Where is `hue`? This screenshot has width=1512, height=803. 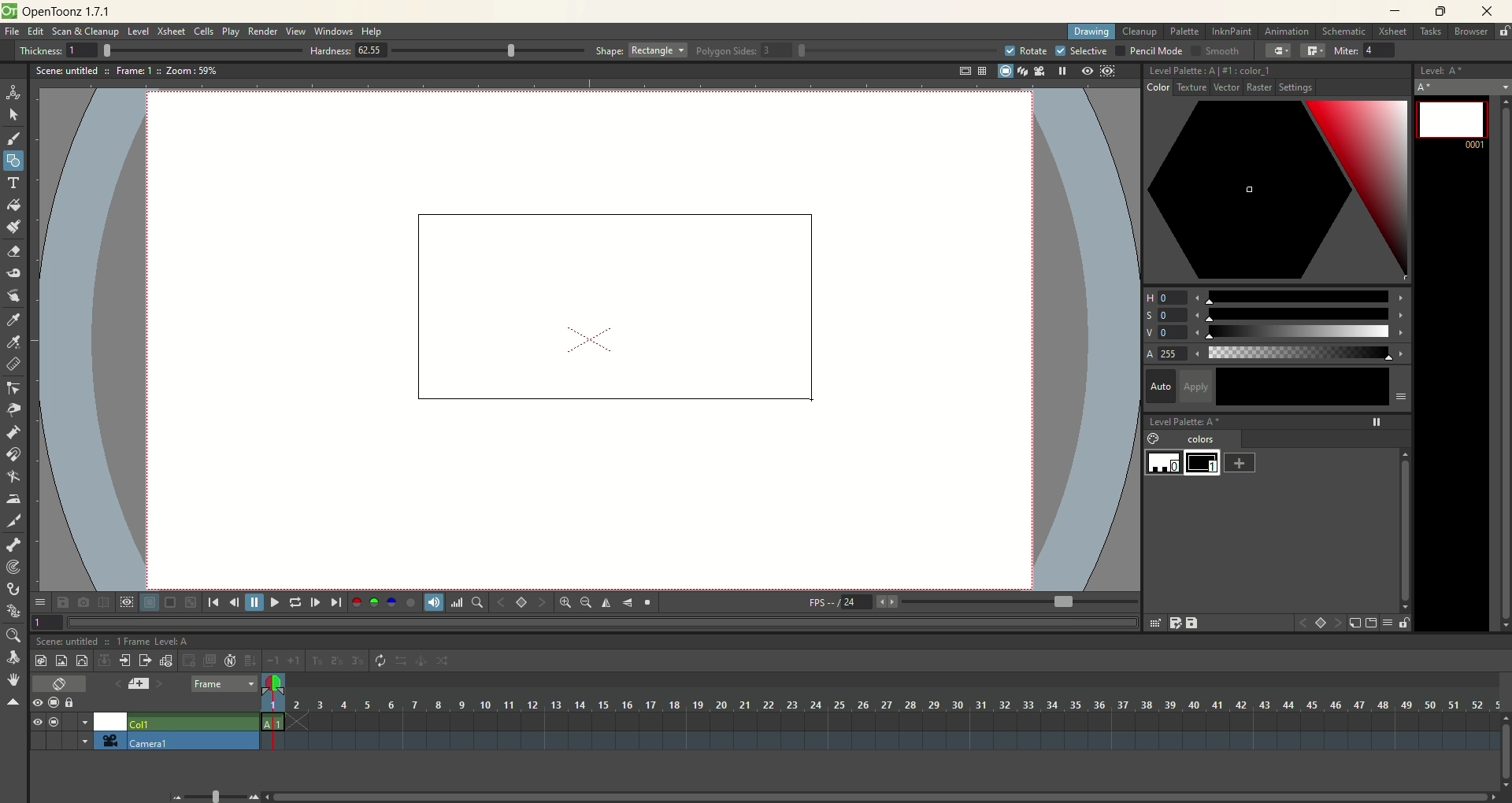 hue is located at coordinates (1277, 294).